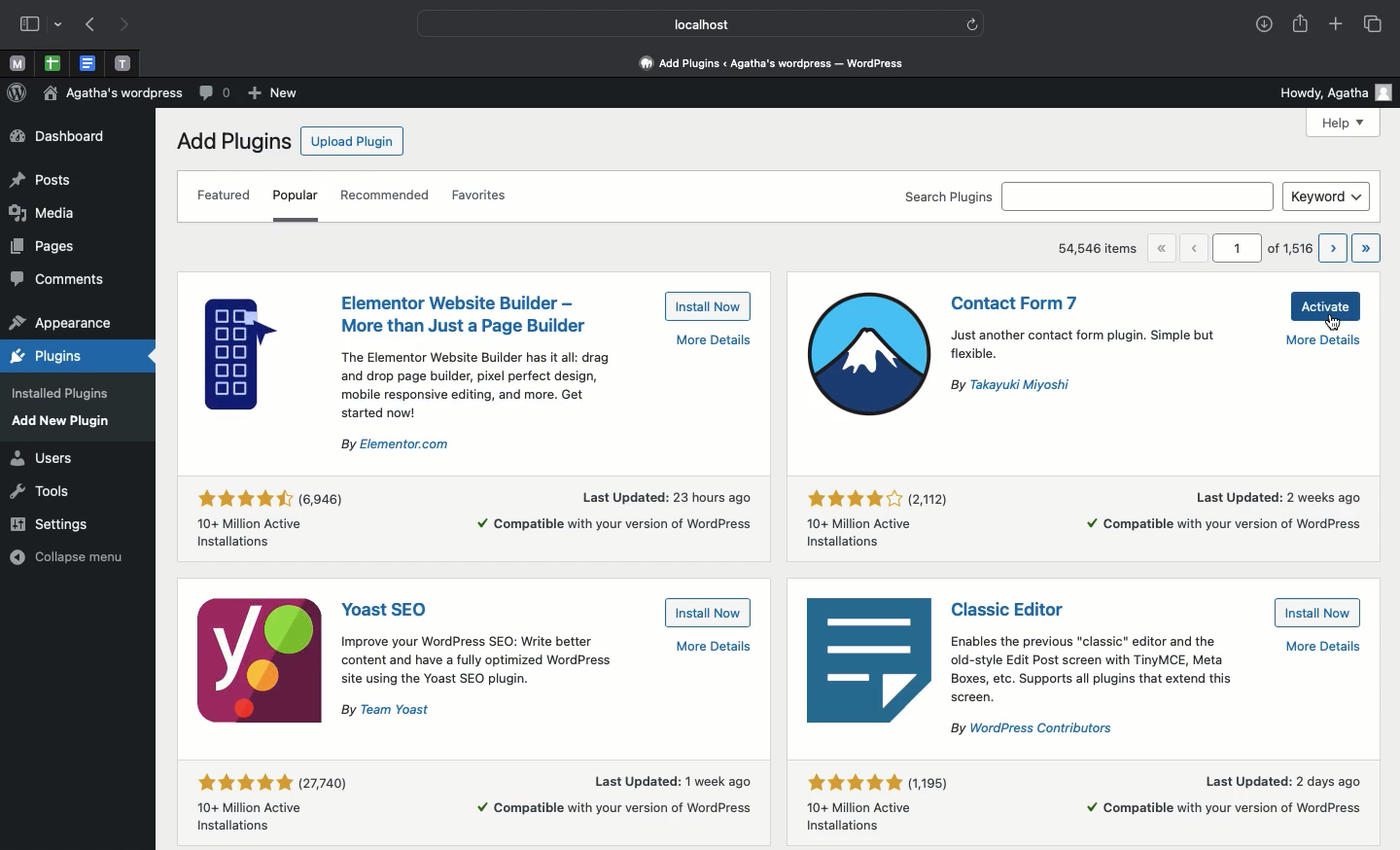  I want to click on Wordpress, so click(17, 94).